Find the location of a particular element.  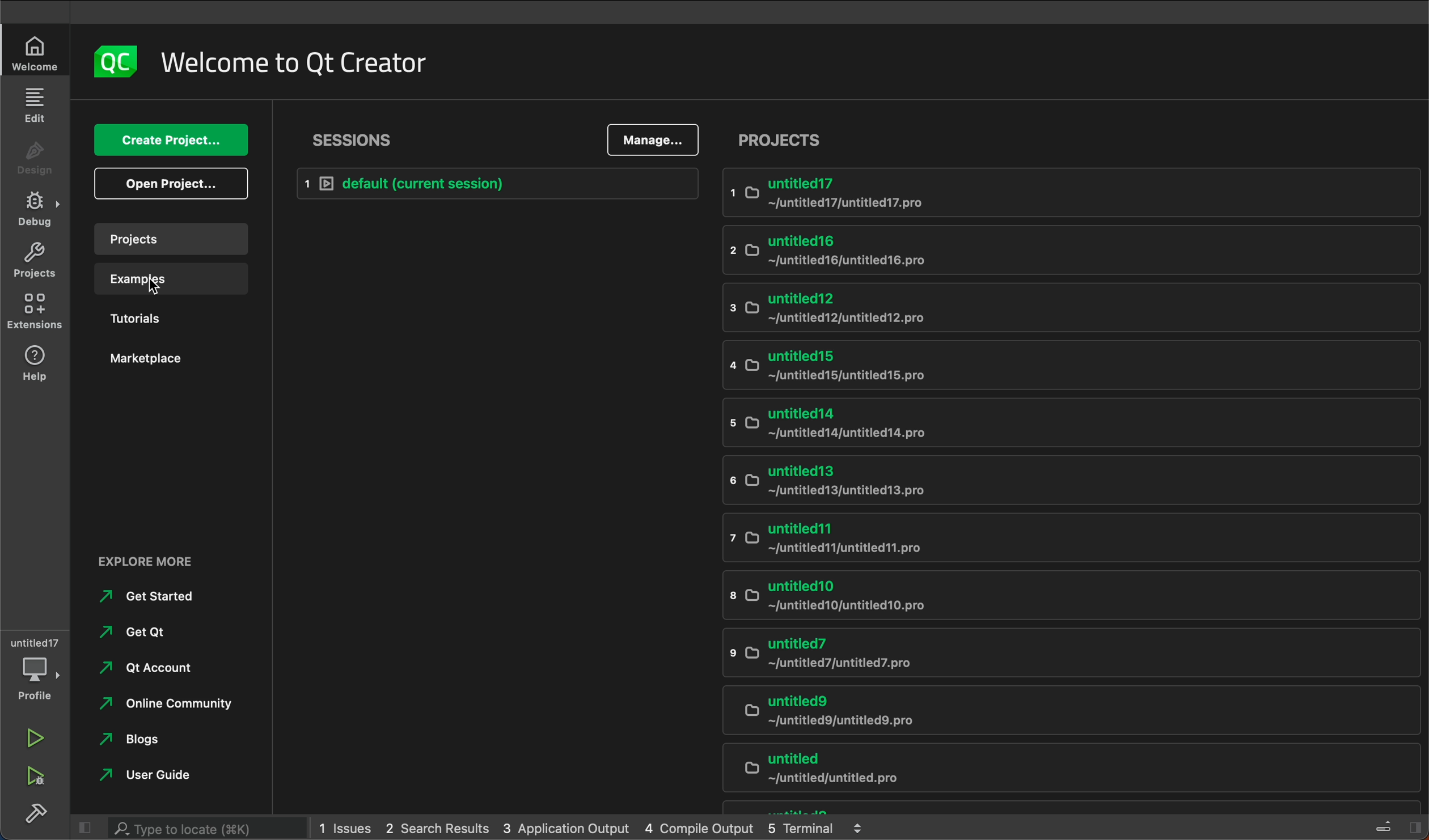

untitled14 is located at coordinates (1059, 421).